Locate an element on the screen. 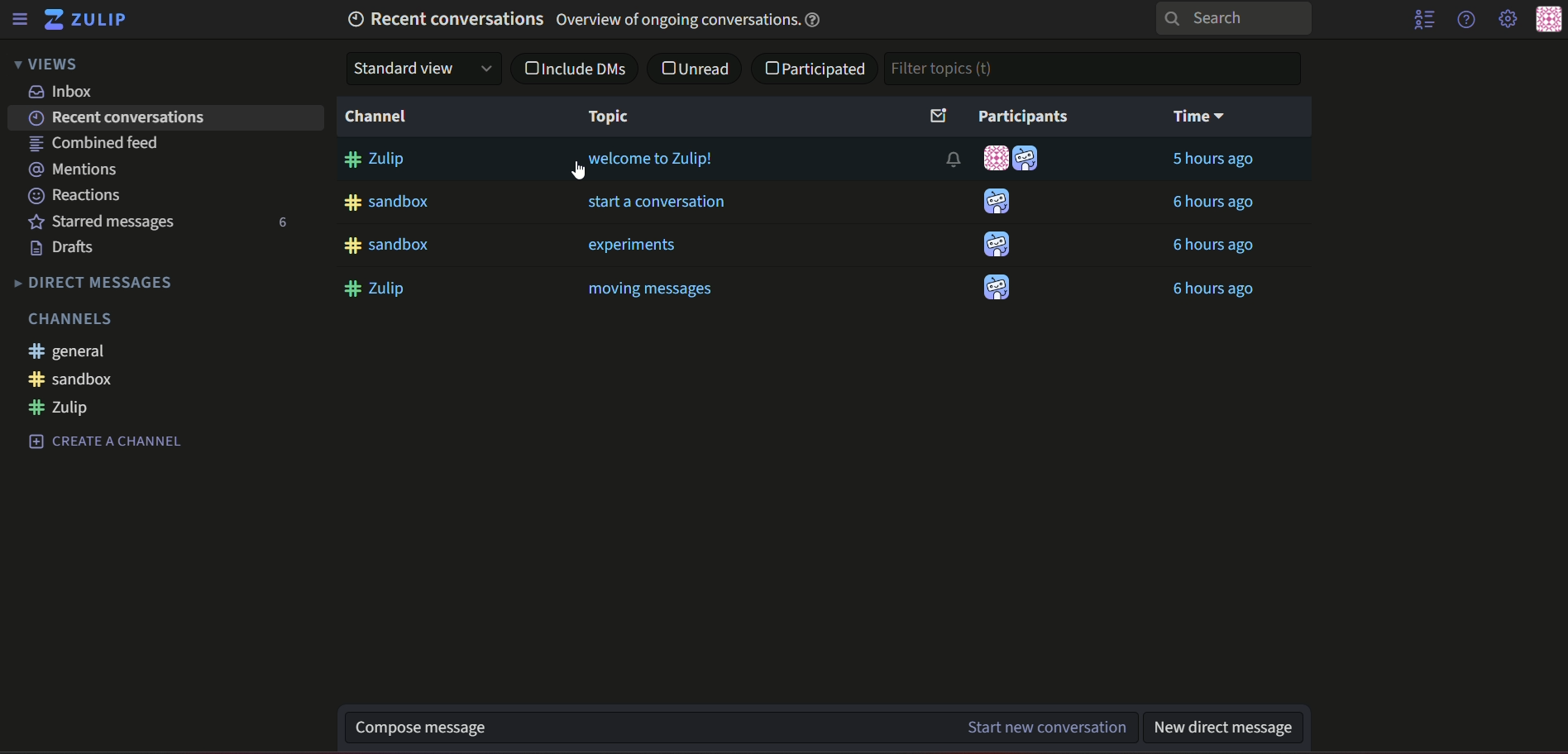  icon is located at coordinates (1026, 157).